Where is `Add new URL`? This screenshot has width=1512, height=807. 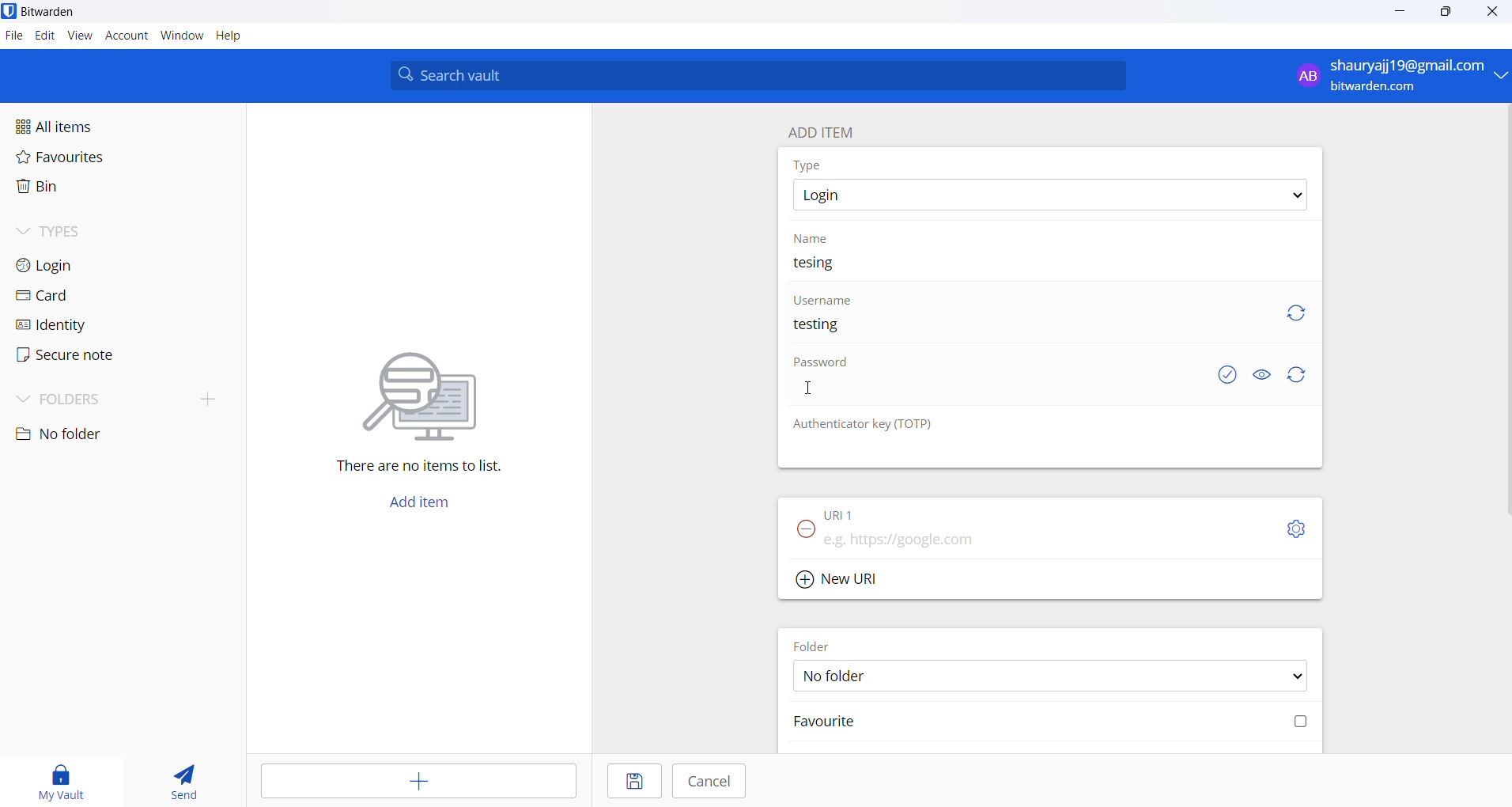 Add new URL is located at coordinates (840, 577).